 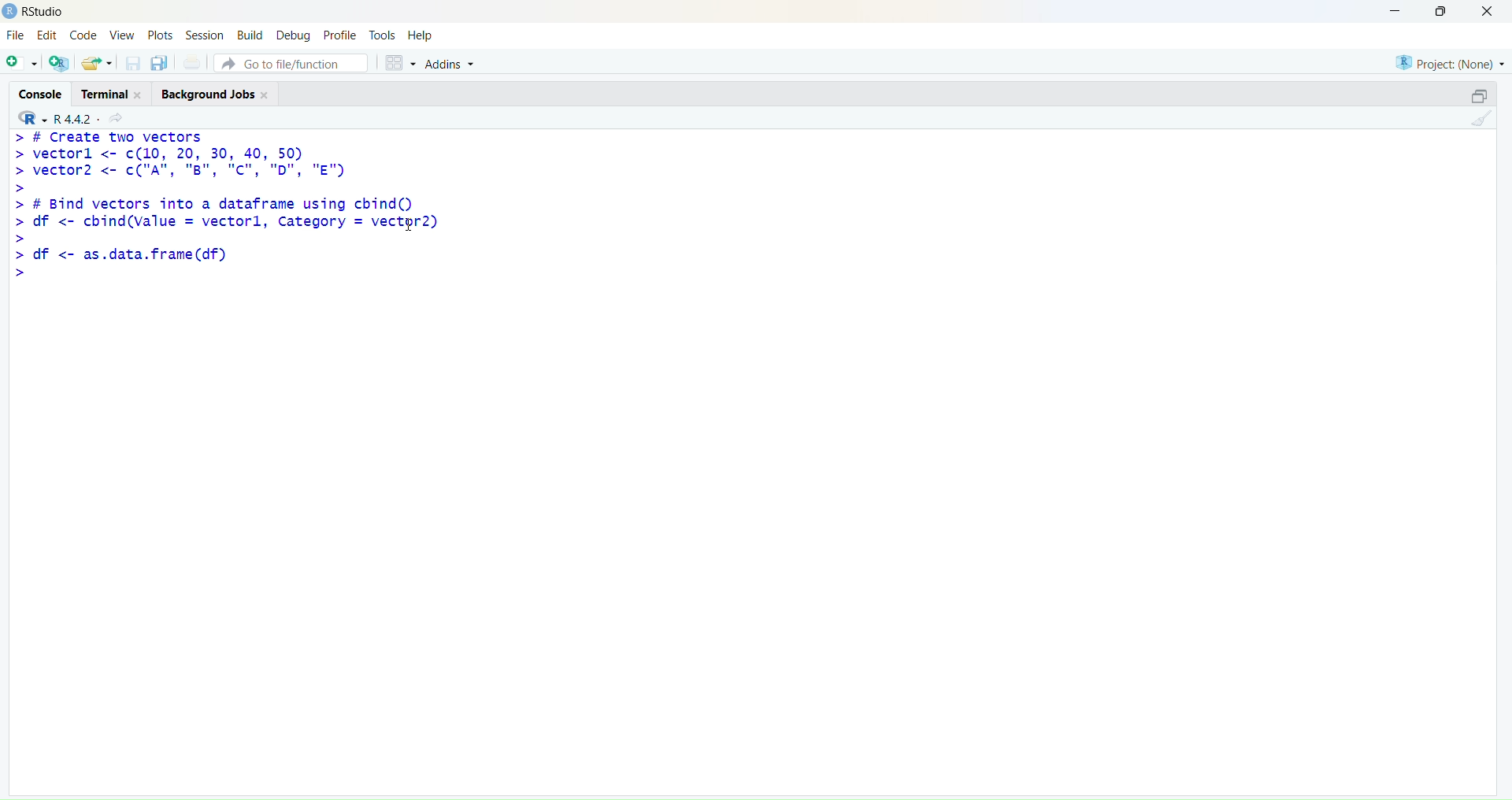 What do you see at coordinates (1448, 63) in the screenshot?
I see `Project: (None)` at bounding box center [1448, 63].